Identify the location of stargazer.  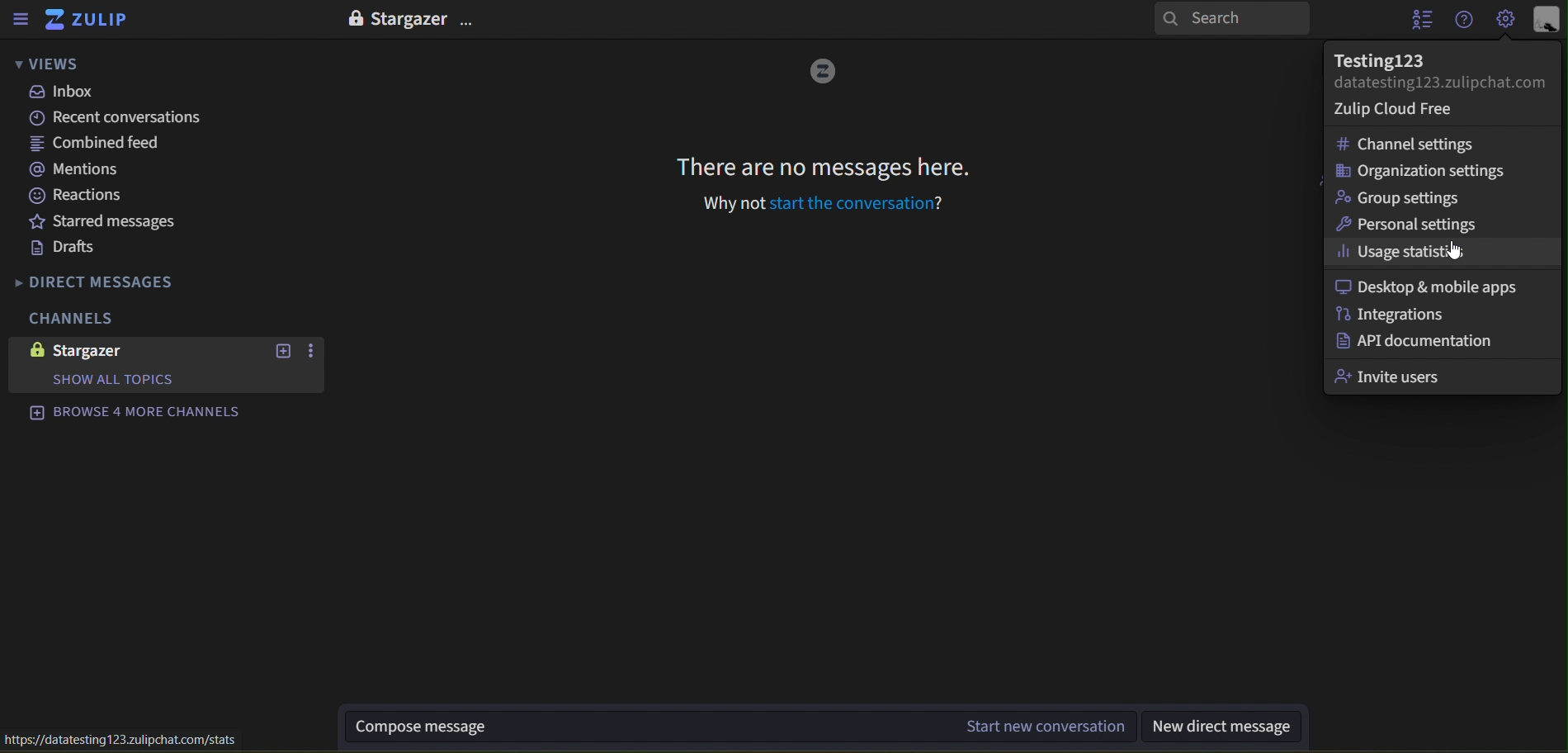
(96, 351).